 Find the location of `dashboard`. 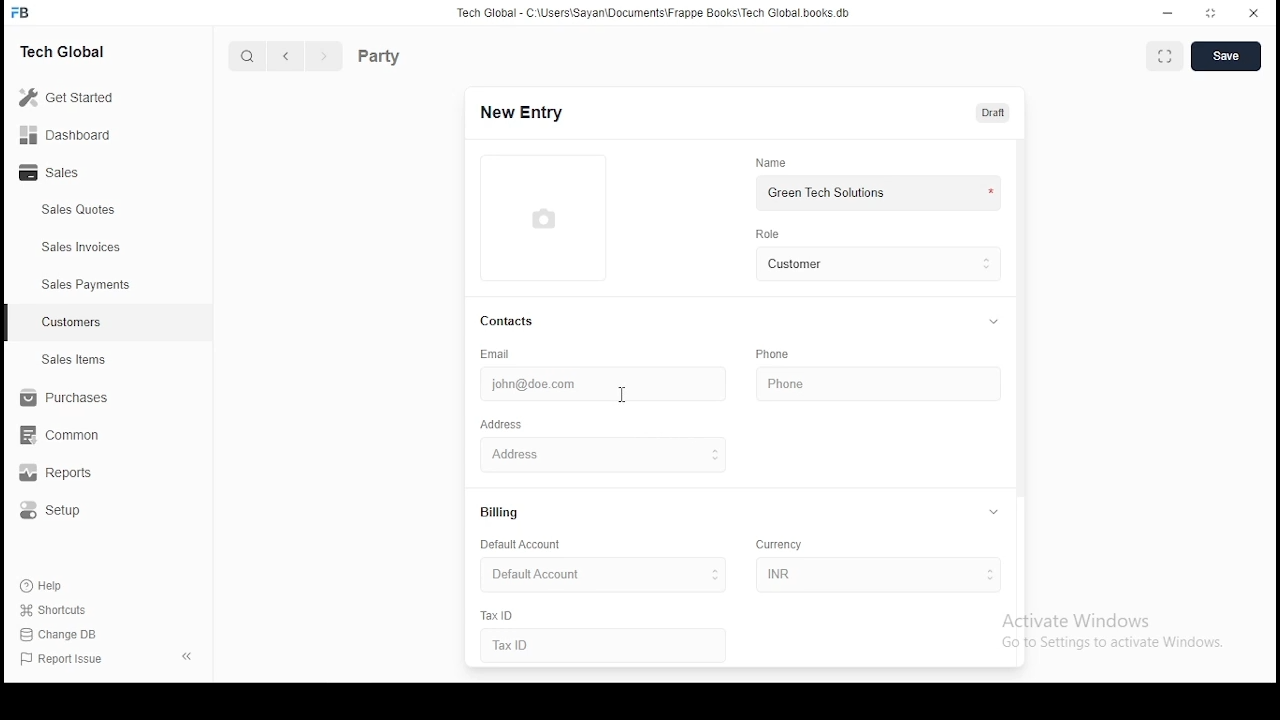

dashboard is located at coordinates (66, 133).